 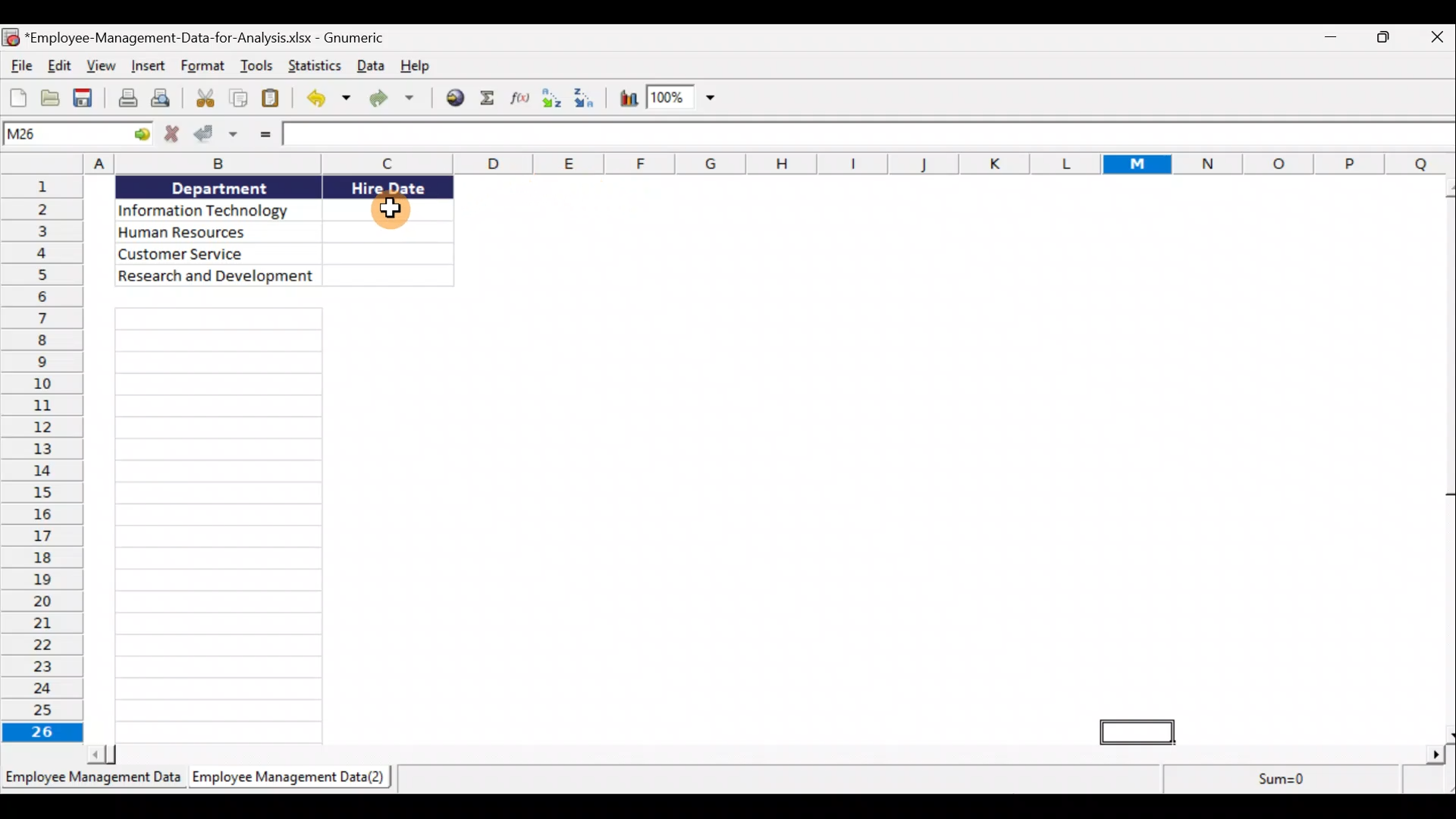 I want to click on Data, so click(x=369, y=68).